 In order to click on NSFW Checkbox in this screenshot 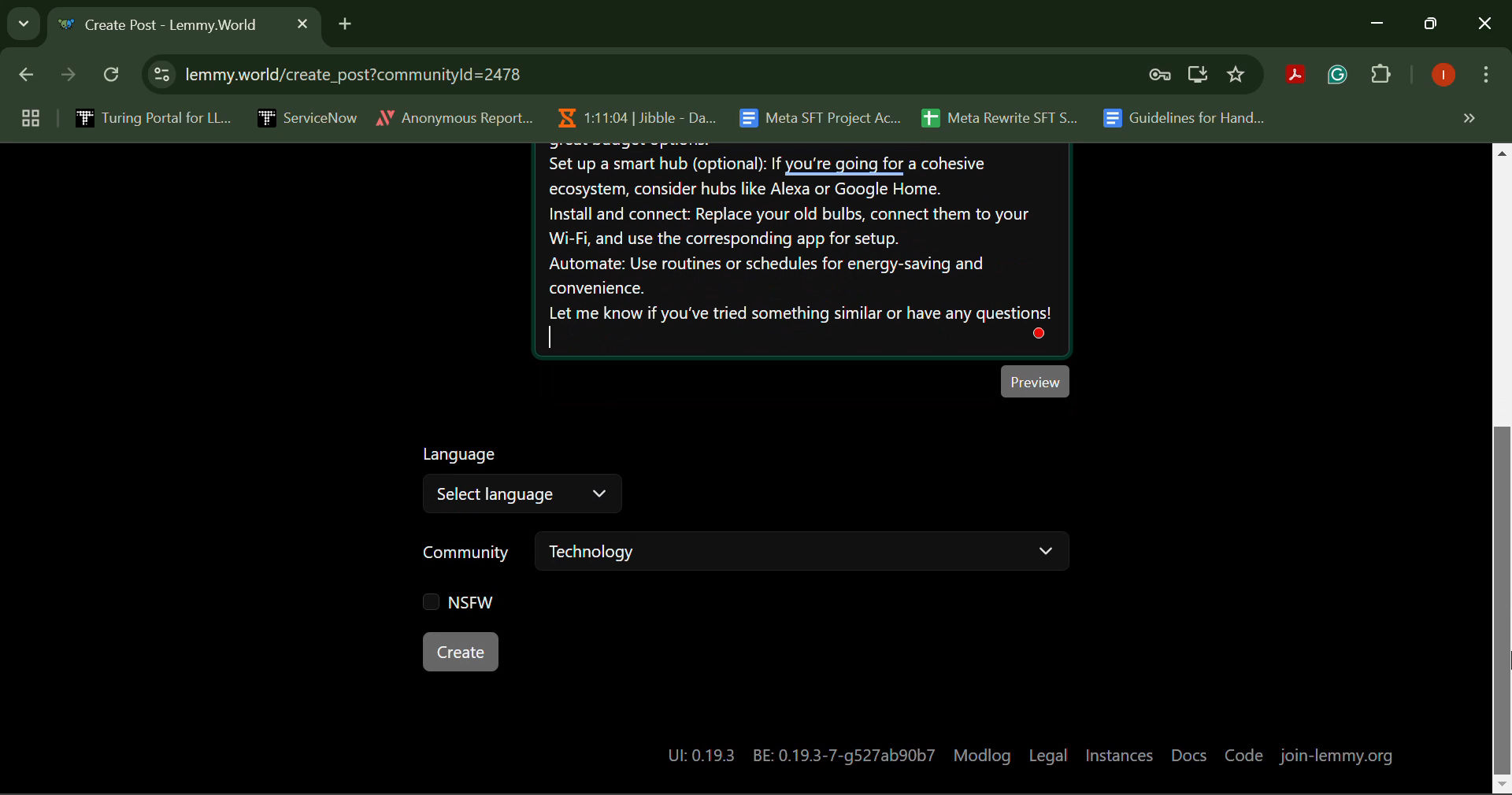, I will do `click(458, 602)`.